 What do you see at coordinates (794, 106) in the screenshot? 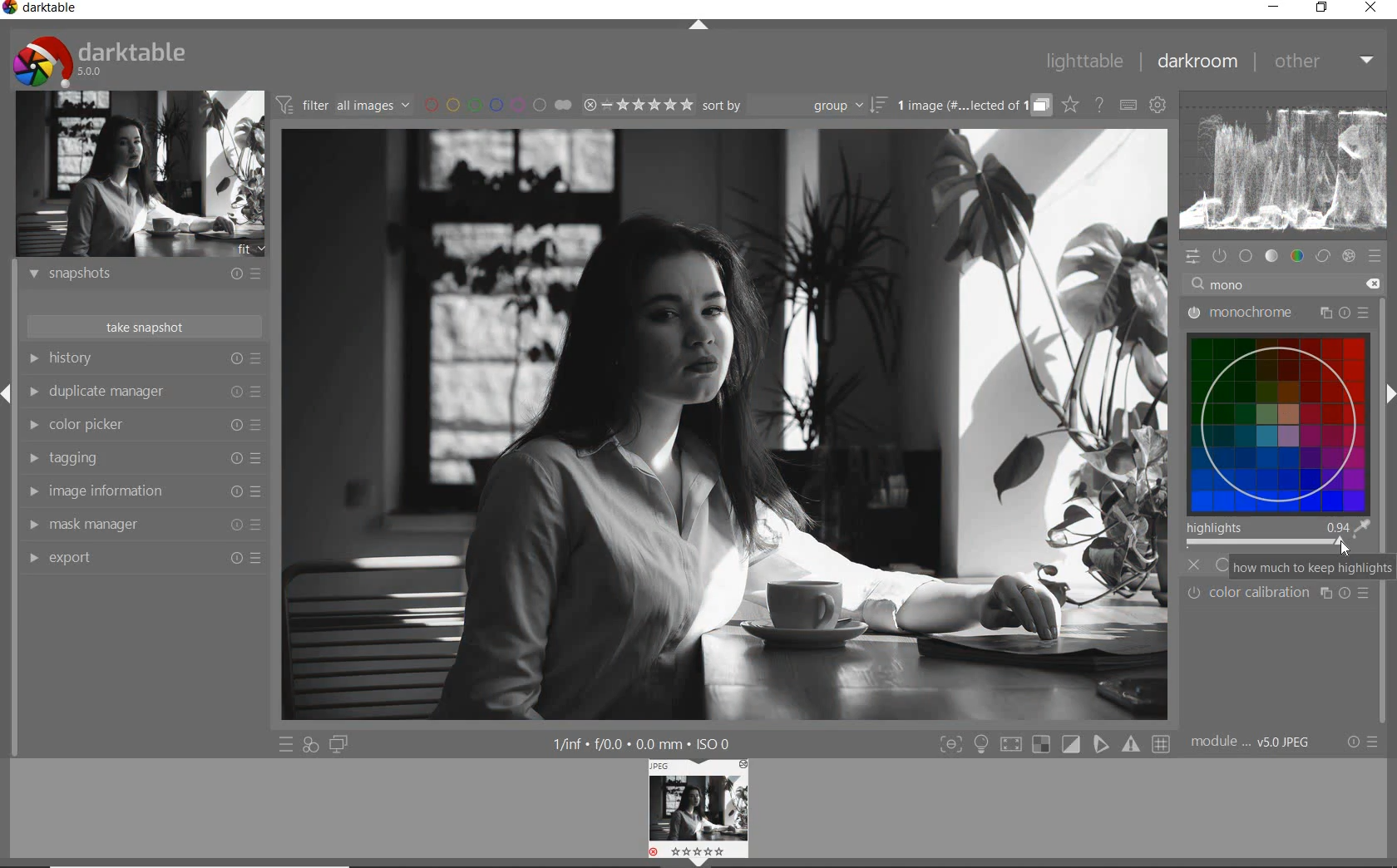
I see `sort` at bounding box center [794, 106].